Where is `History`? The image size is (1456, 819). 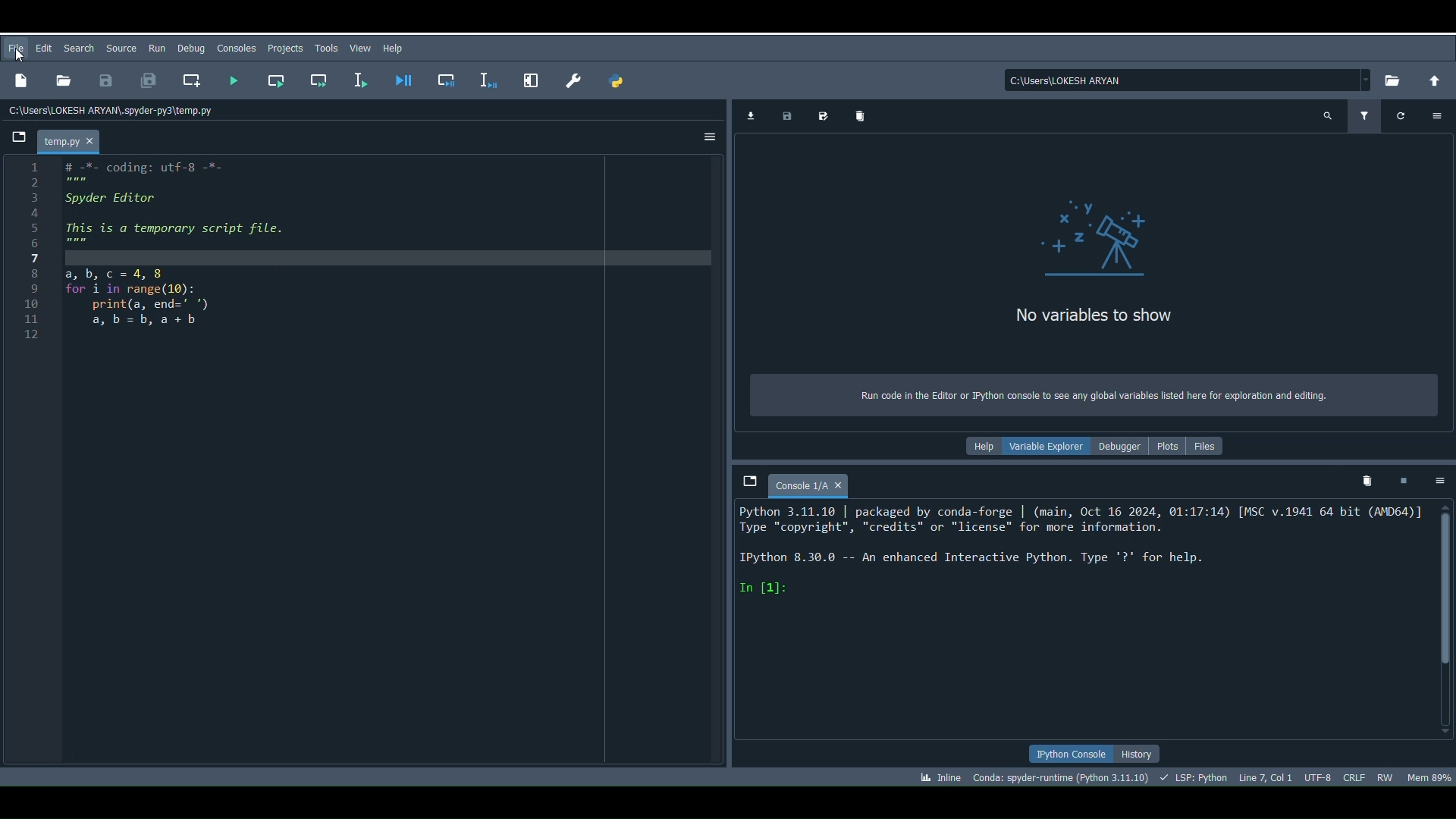
History is located at coordinates (1136, 756).